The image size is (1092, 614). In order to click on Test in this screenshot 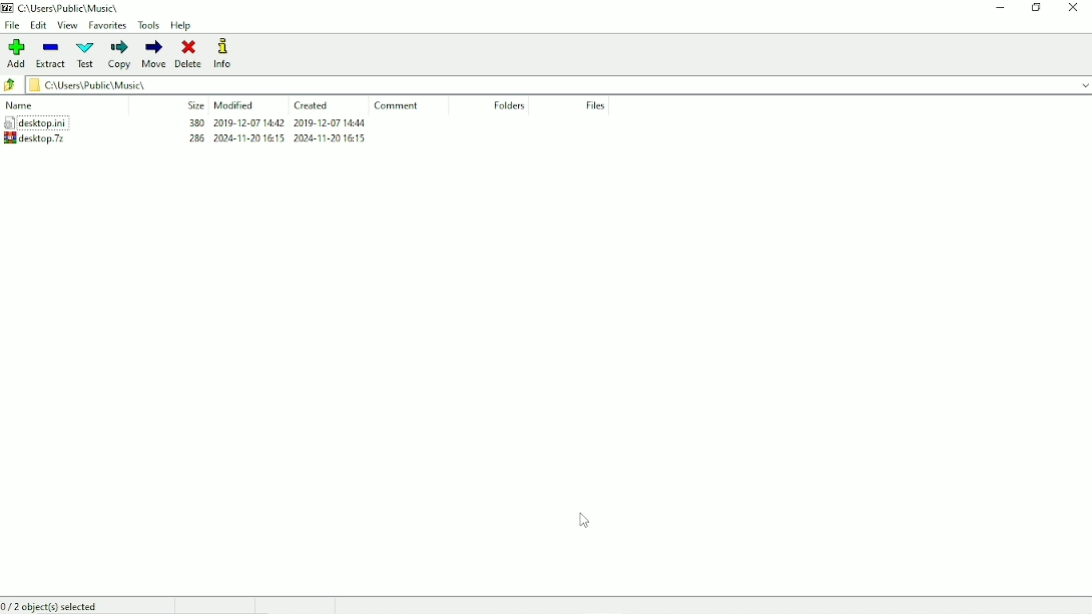, I will do `click(86, 55)`.